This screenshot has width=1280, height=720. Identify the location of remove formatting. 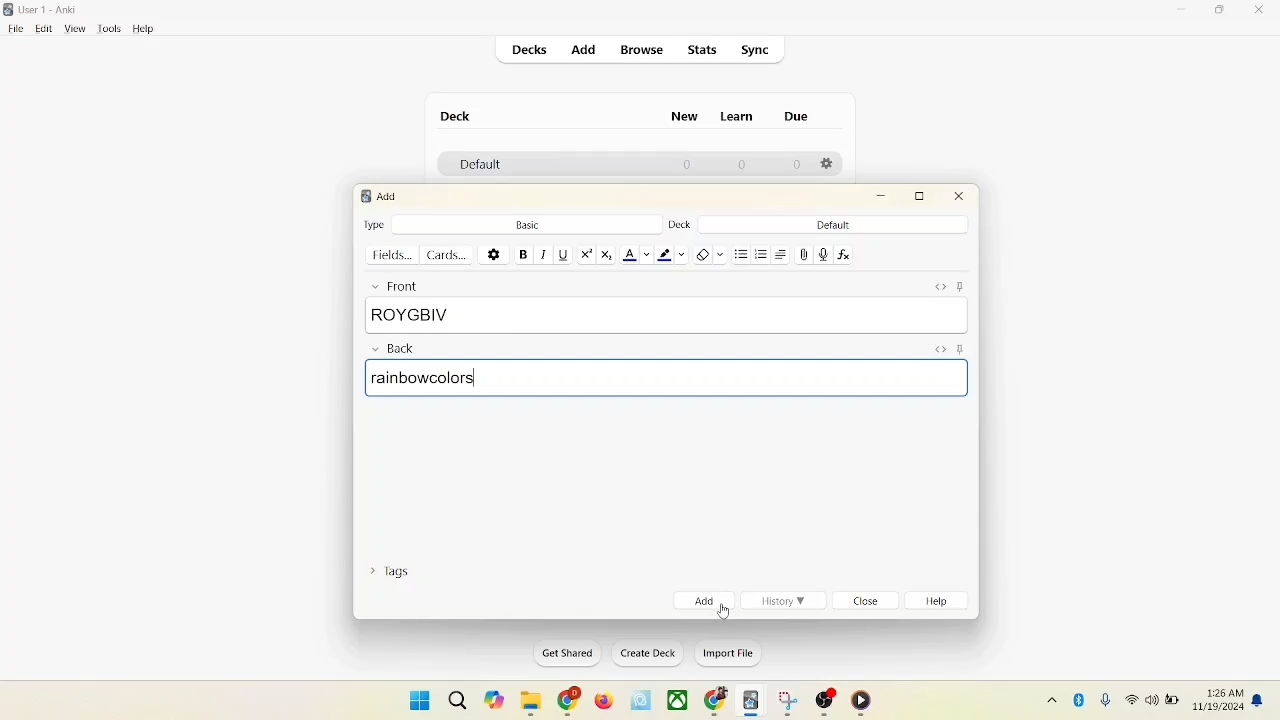
(708, 253).